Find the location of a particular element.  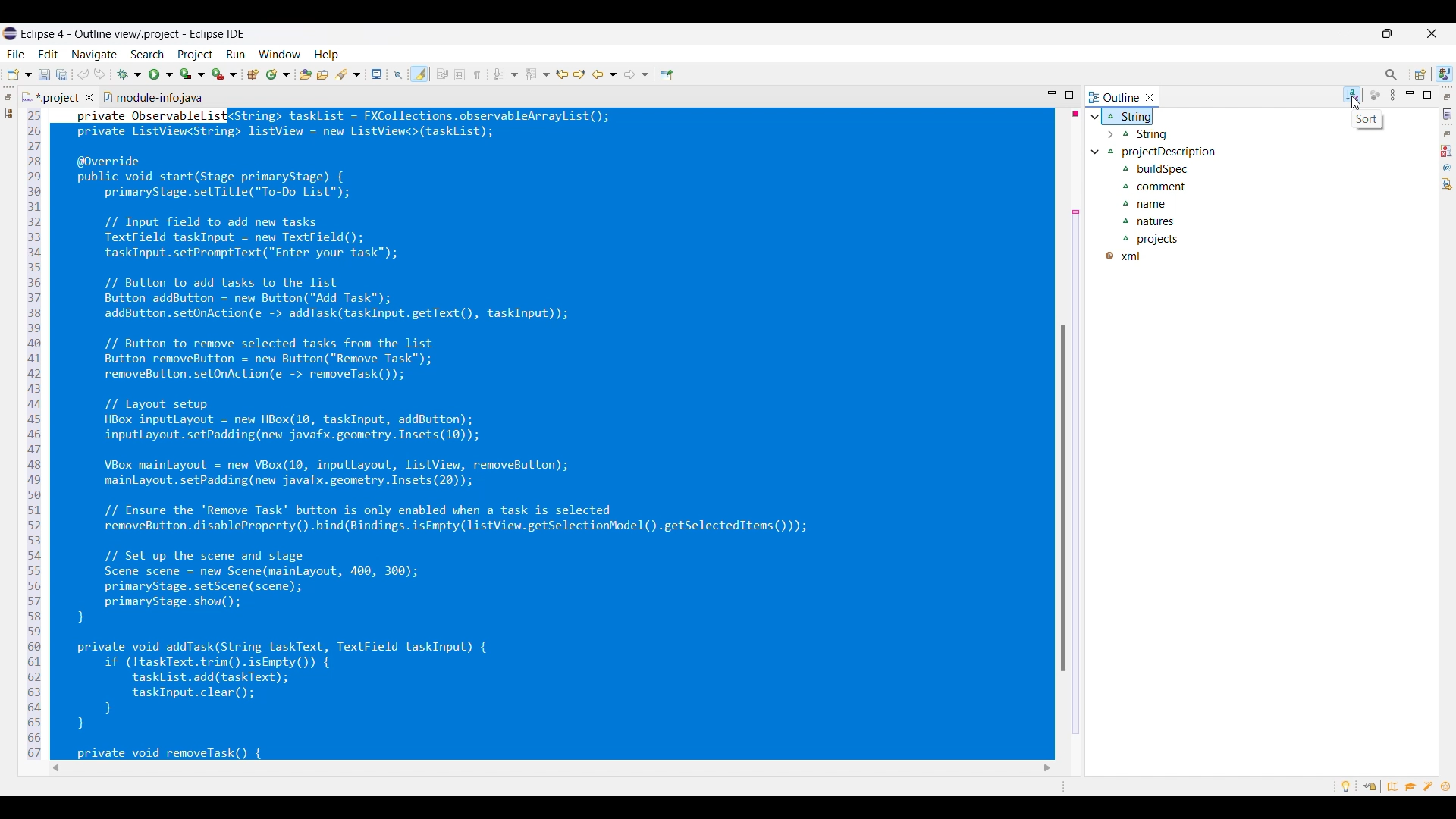

Restore is located at coordinates (1448, 96).